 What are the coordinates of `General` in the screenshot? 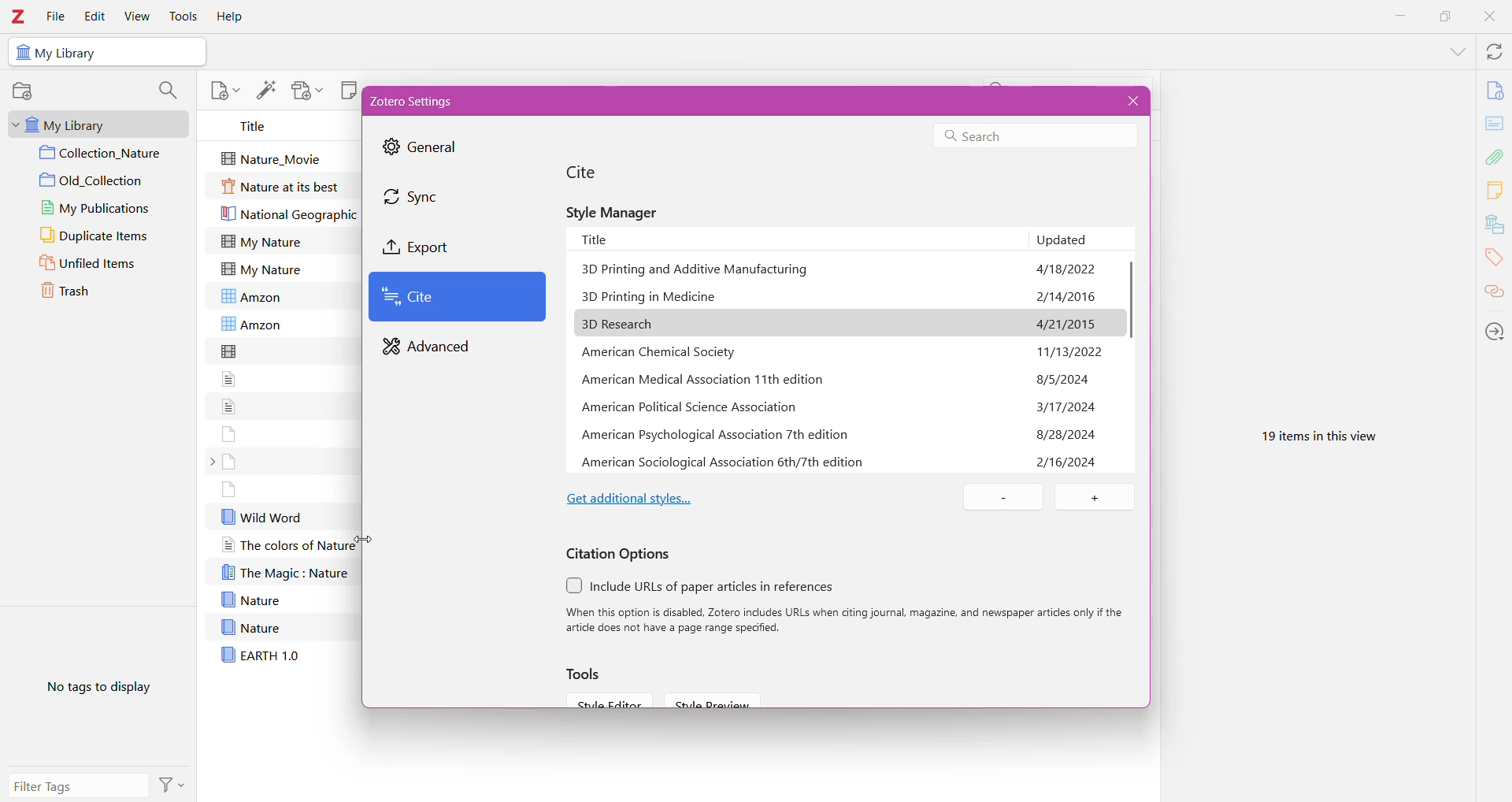 It's located at (426, 148).